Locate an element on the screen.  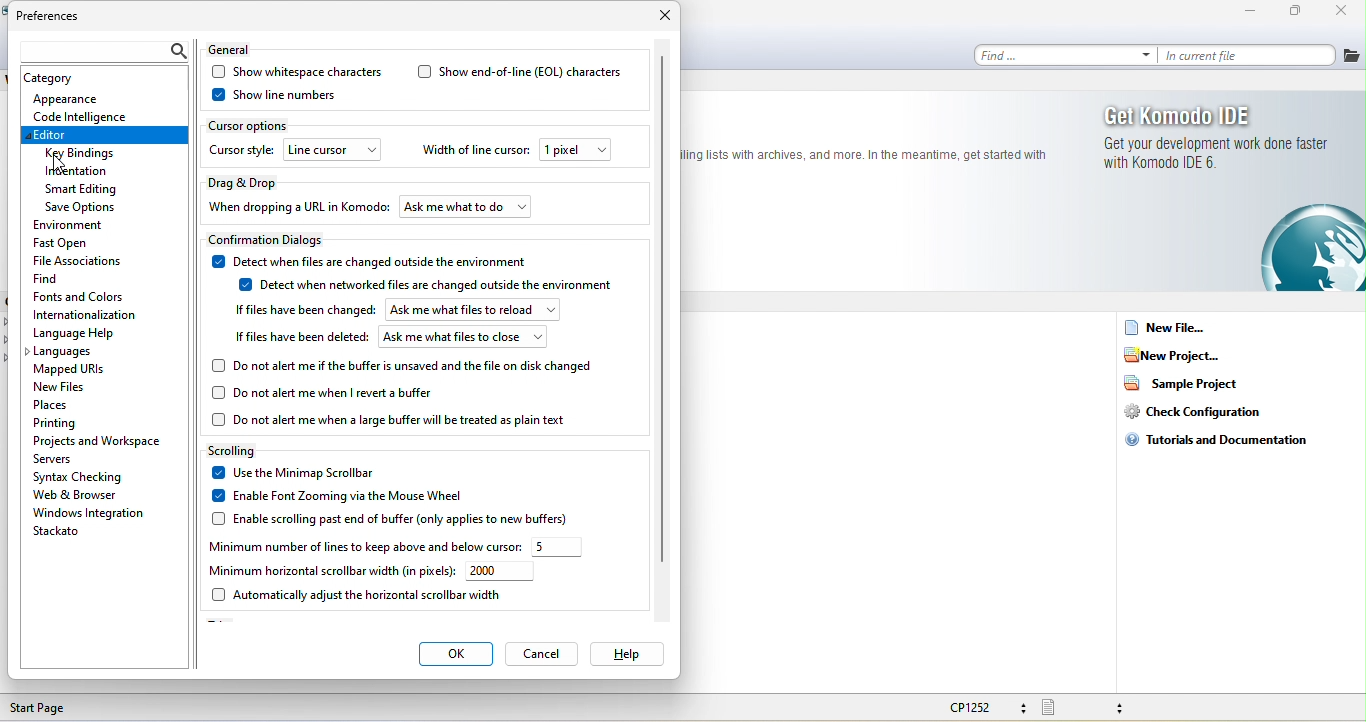
find is located at coordinates (1065, 54).